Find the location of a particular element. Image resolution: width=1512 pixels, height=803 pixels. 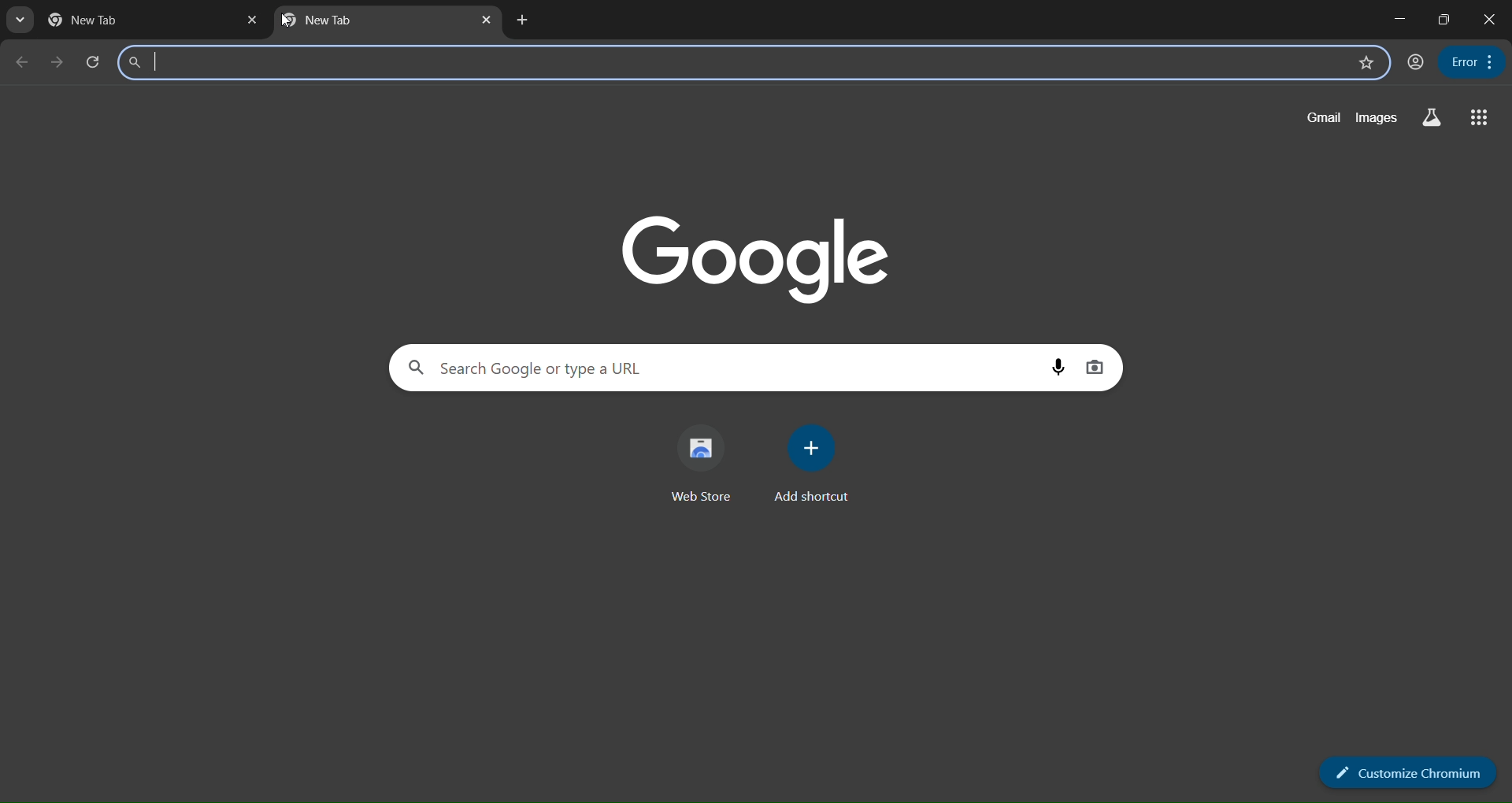

google lab is located at coordinates (1435, 119).